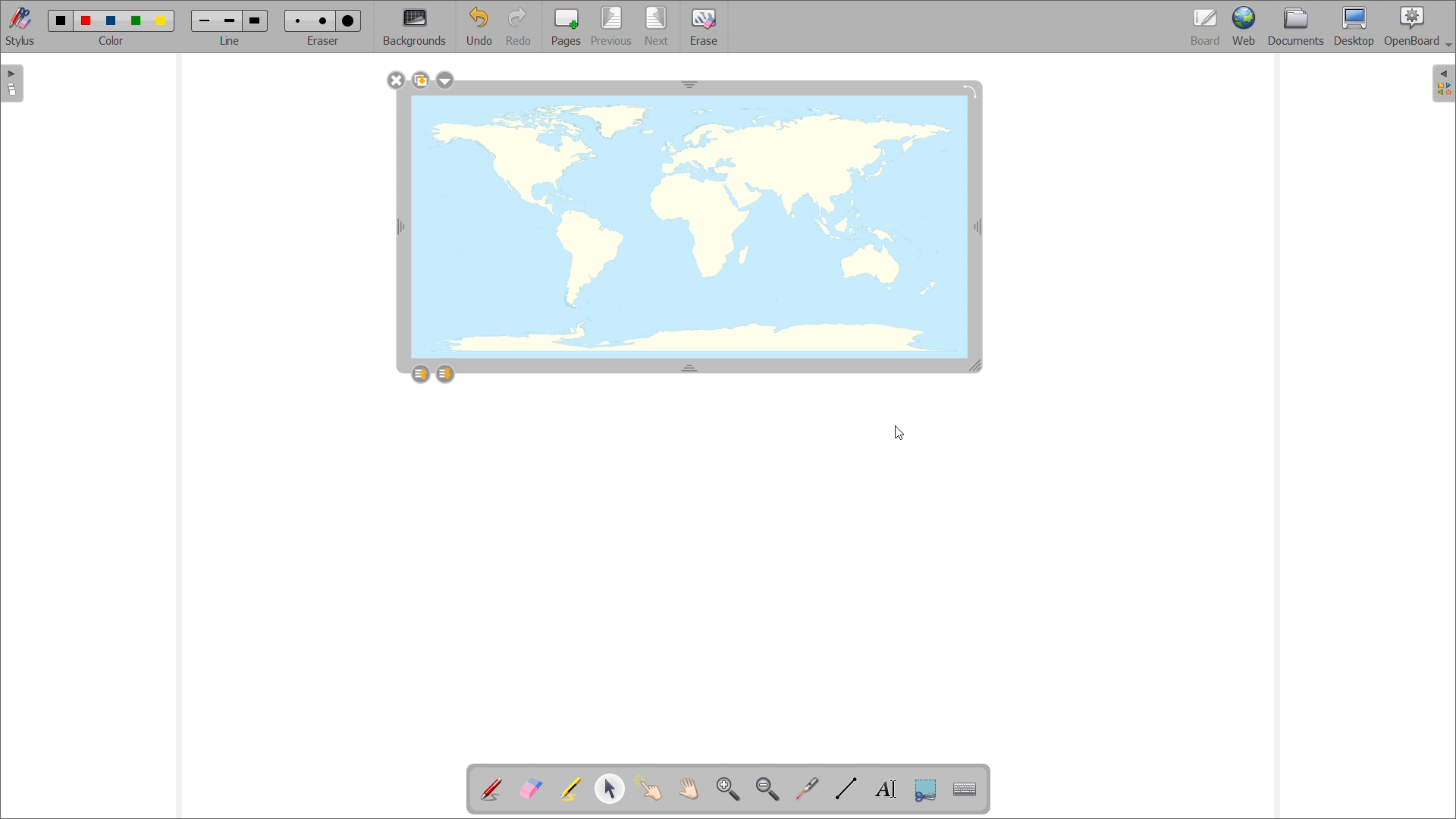 The image size is (1456, 819). Describe the element at coordinates (1246, 27) in the screenshot. I see `web` at that location.